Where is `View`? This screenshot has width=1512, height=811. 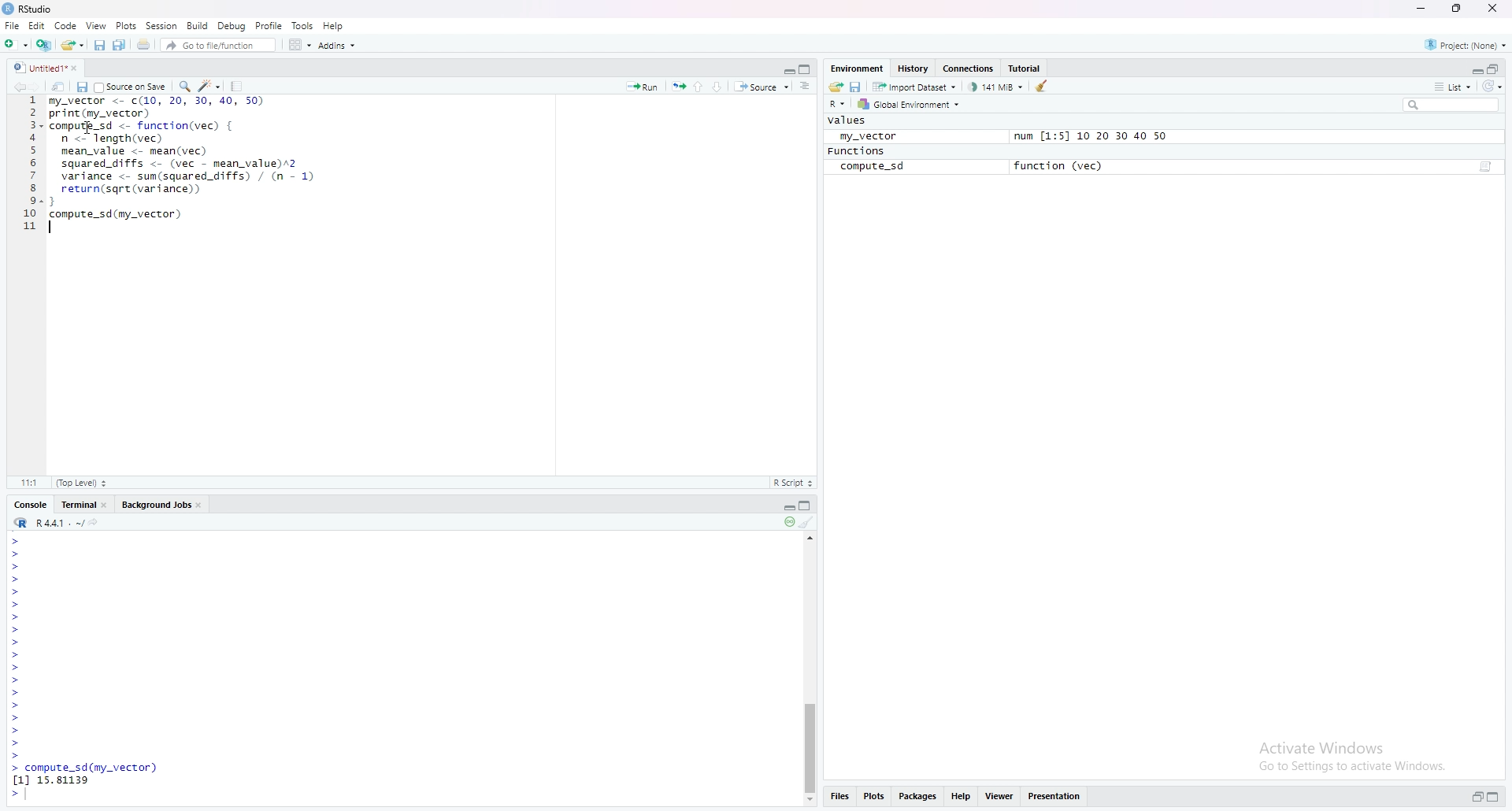 View is located at coordinates (97, 25).